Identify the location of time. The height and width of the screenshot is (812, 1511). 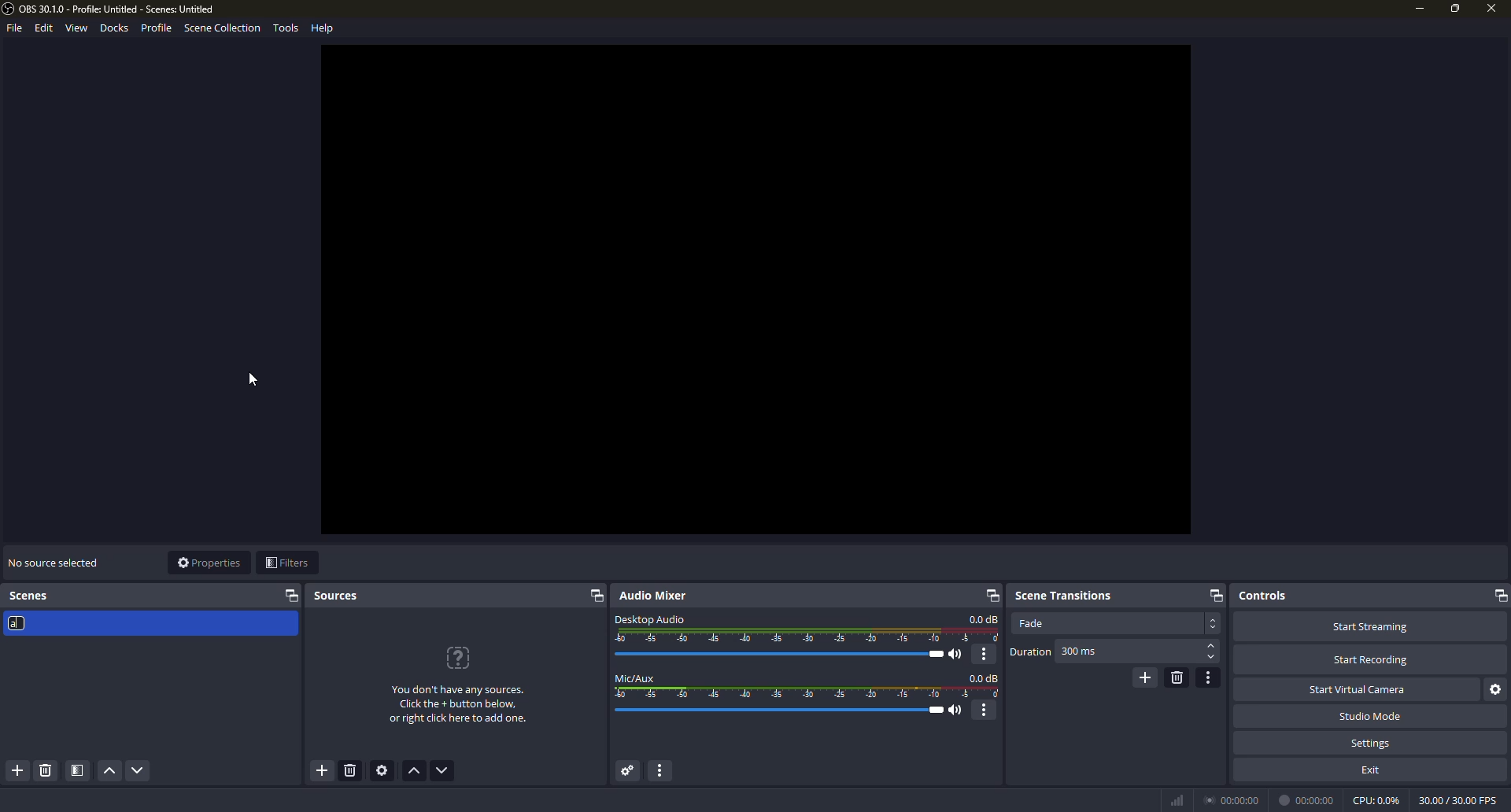
(1309, 799).